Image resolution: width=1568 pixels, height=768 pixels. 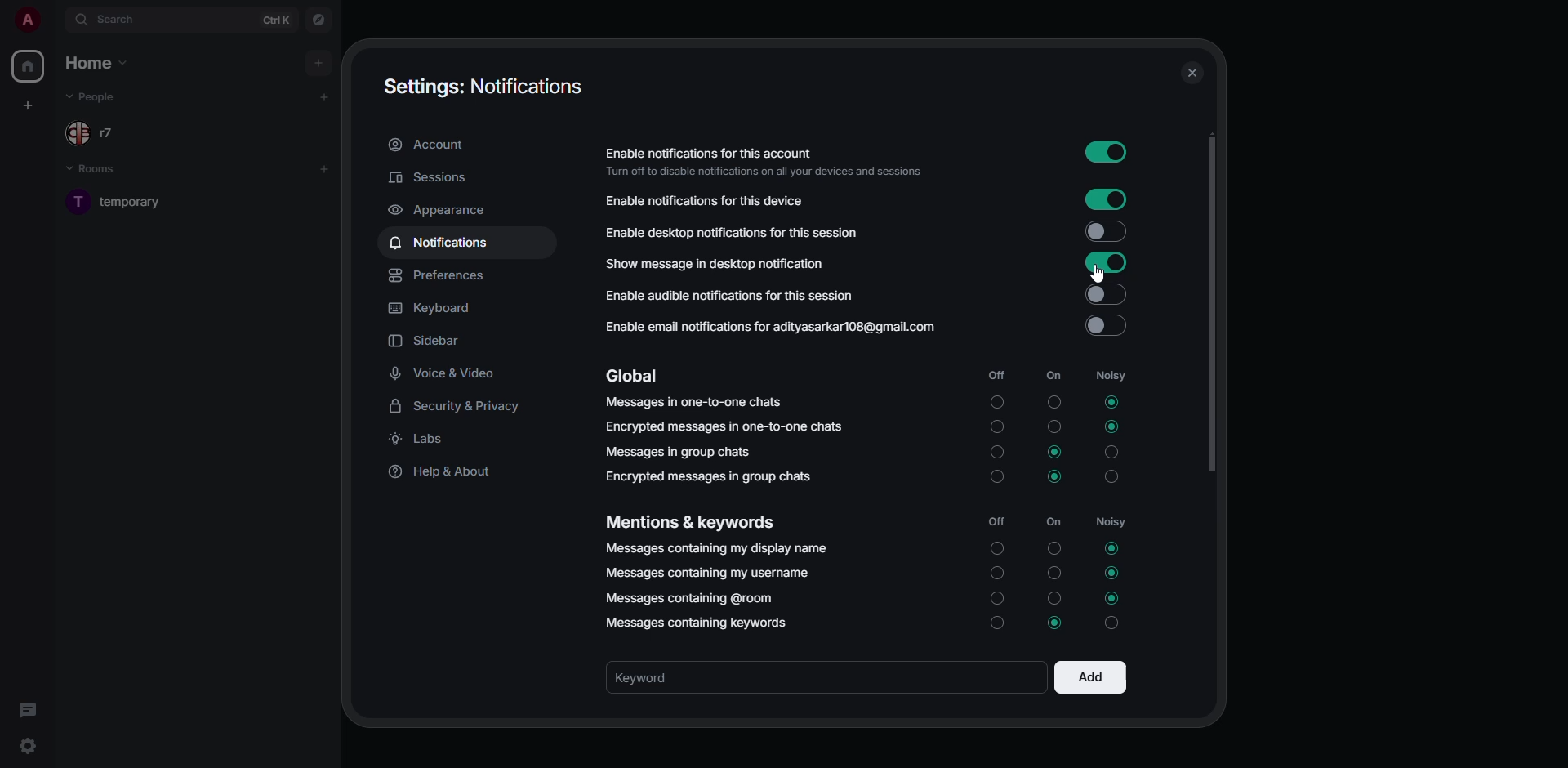 What do you see at coordinates (1104, 199) in the screenshot?
I see `` at bounding box center [1104, 199].